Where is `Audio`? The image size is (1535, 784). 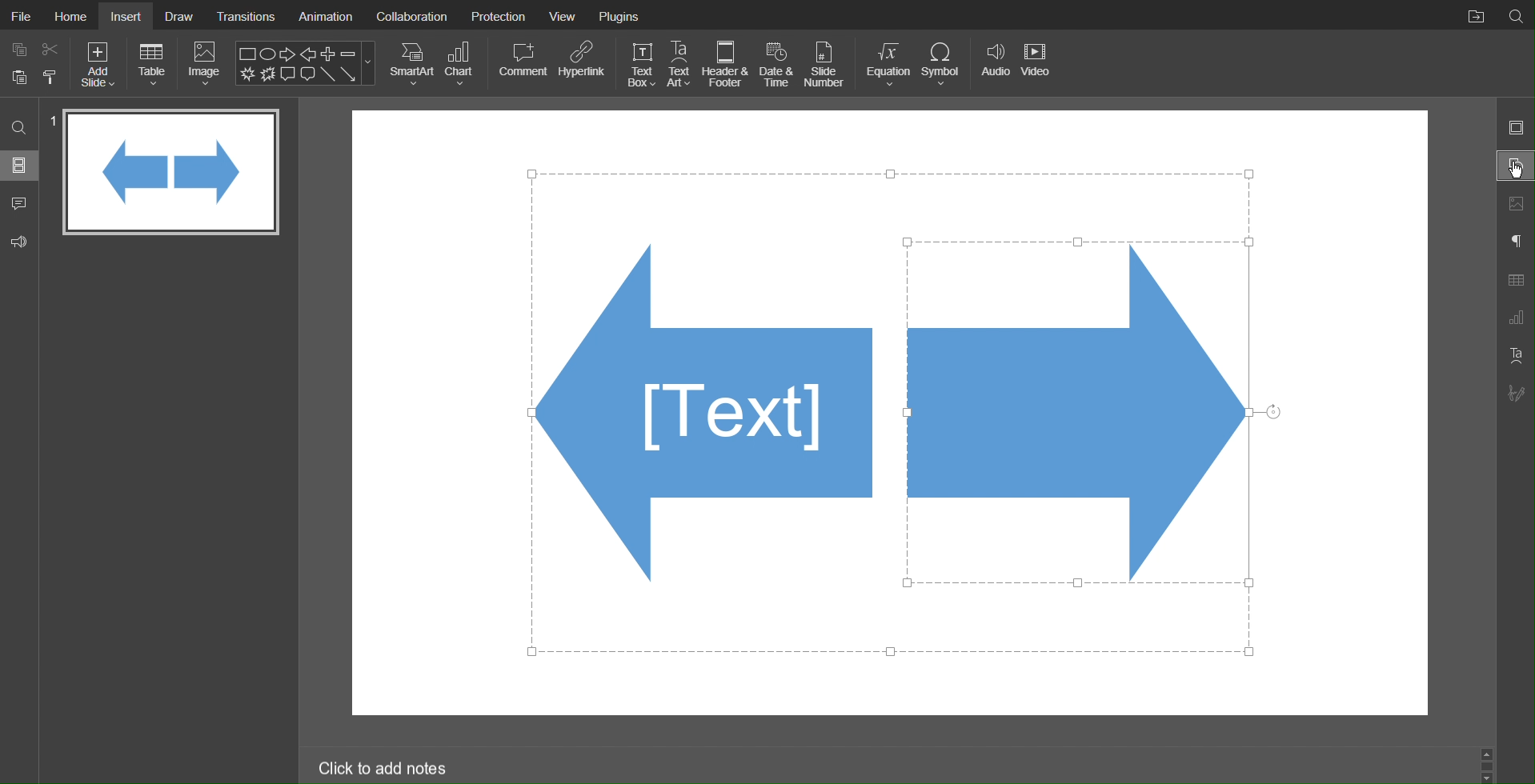
Audio is located at coordinates (993, 63).